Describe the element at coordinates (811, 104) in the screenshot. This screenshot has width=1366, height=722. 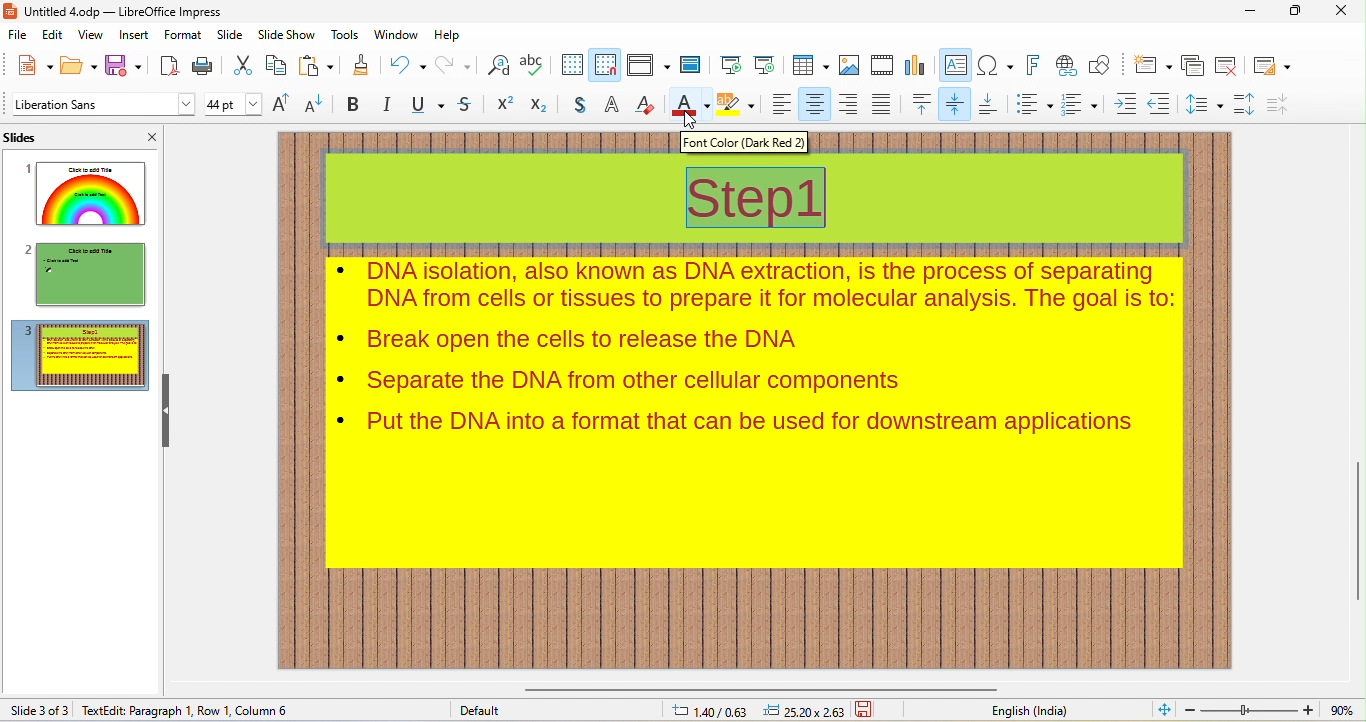
I see `align center` at that location.